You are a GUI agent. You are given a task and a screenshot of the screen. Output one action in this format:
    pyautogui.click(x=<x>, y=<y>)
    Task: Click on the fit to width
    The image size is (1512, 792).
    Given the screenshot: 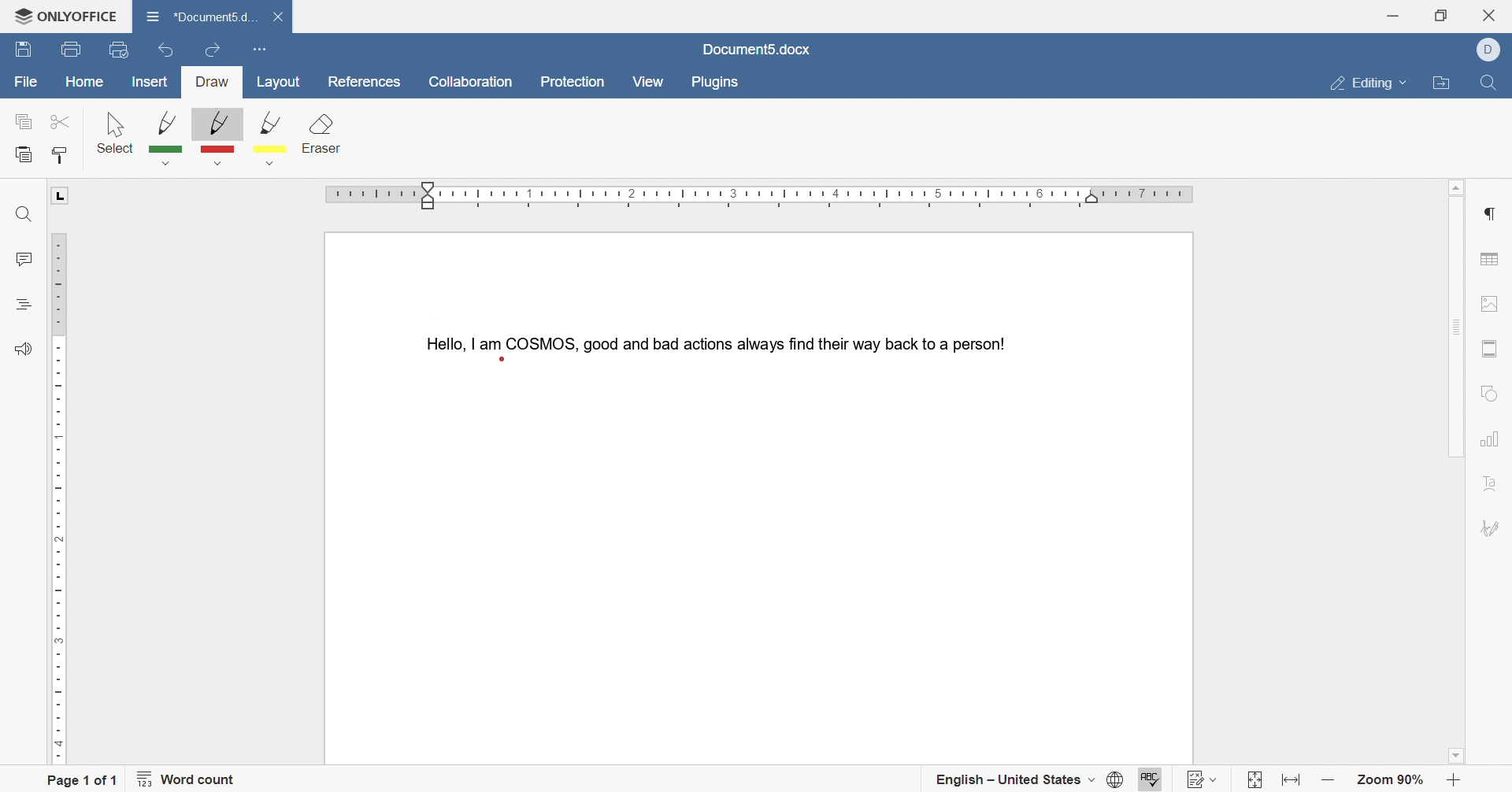 What is the action you would take?
    pyautogui.click(x=1293, y=783)
    